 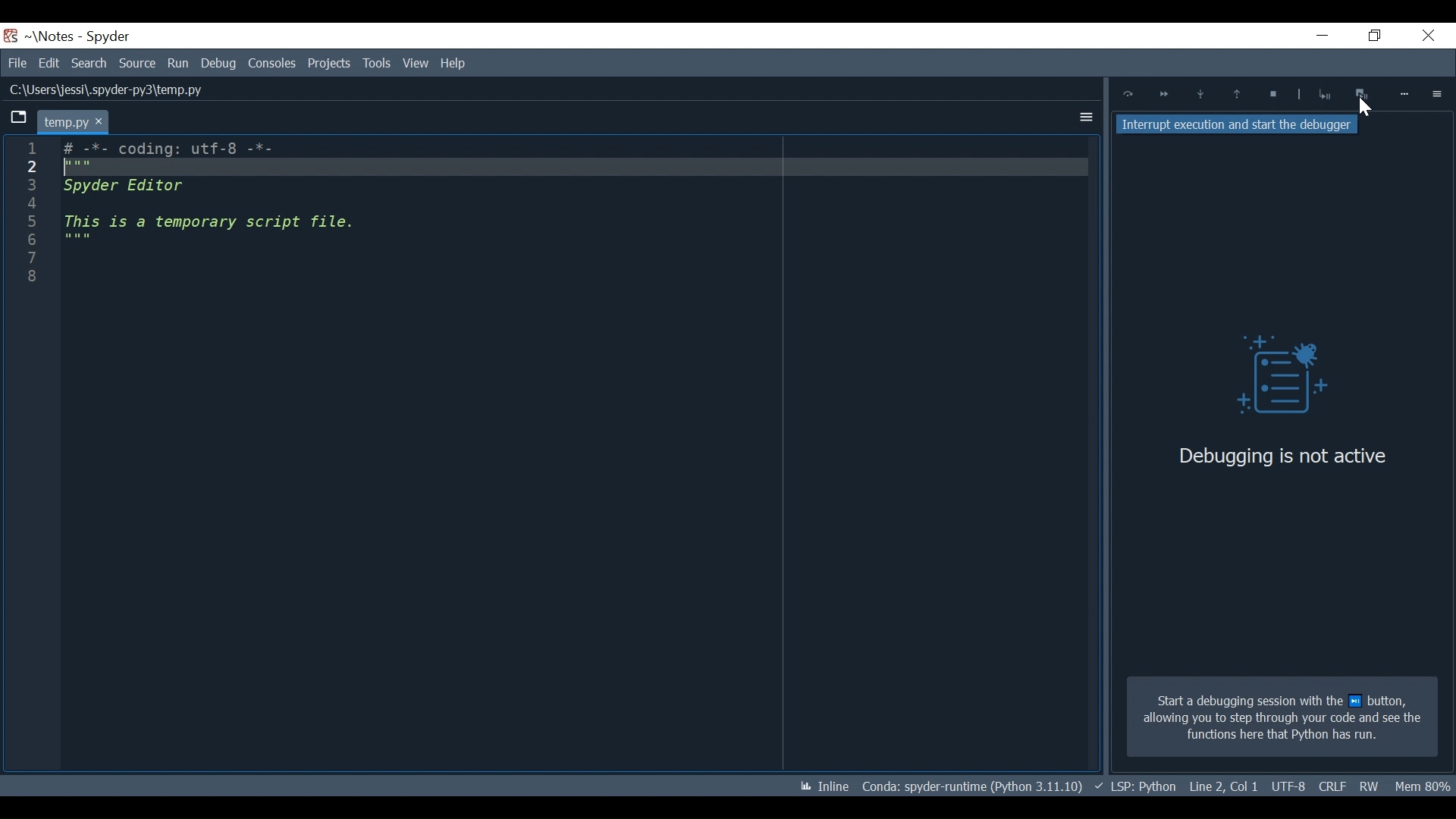 I want to click on Interrupt execution and start the debugger tooltip, so click(x=1237, y=127).